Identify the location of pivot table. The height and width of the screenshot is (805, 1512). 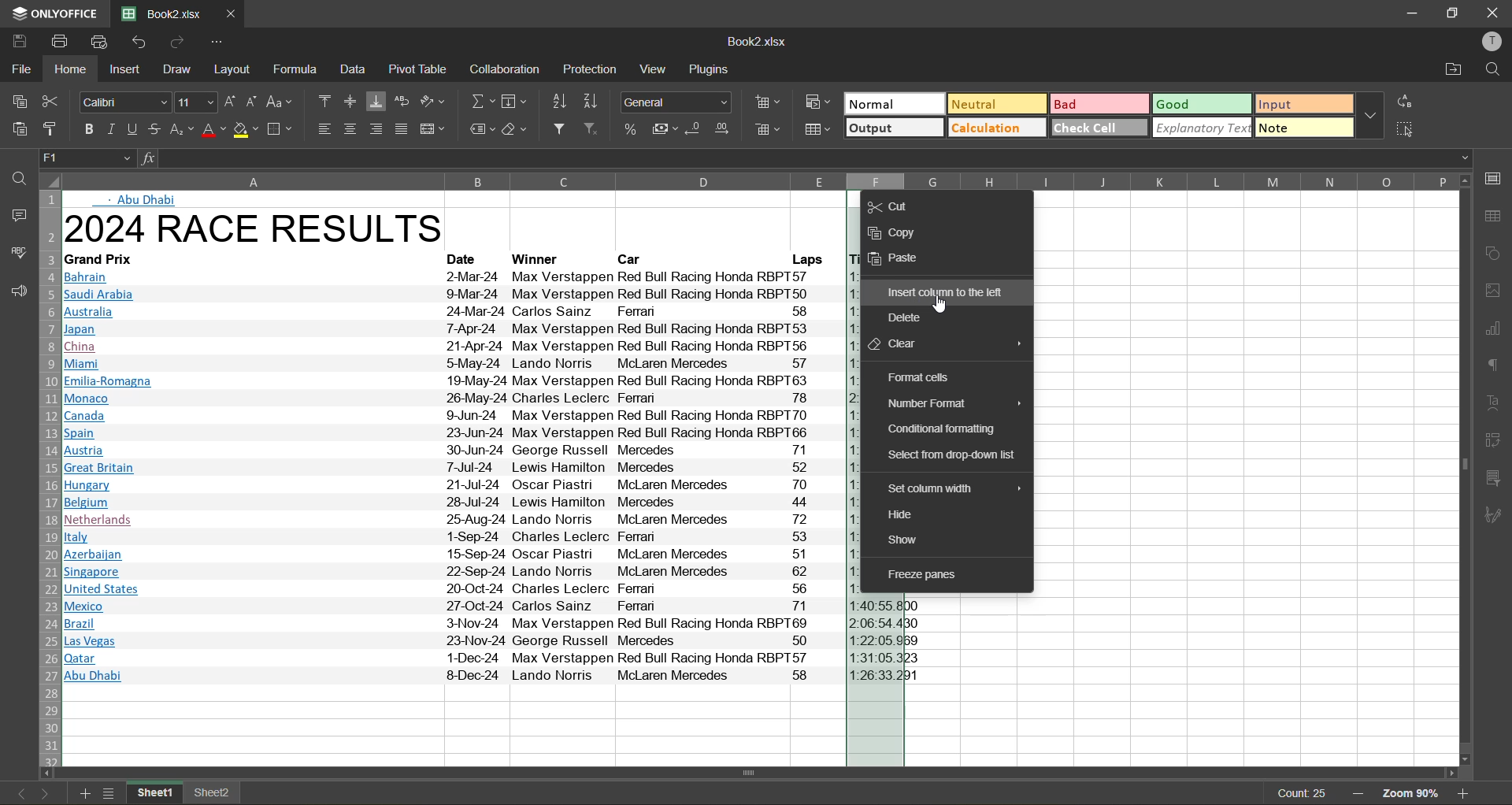
(1497, 442).